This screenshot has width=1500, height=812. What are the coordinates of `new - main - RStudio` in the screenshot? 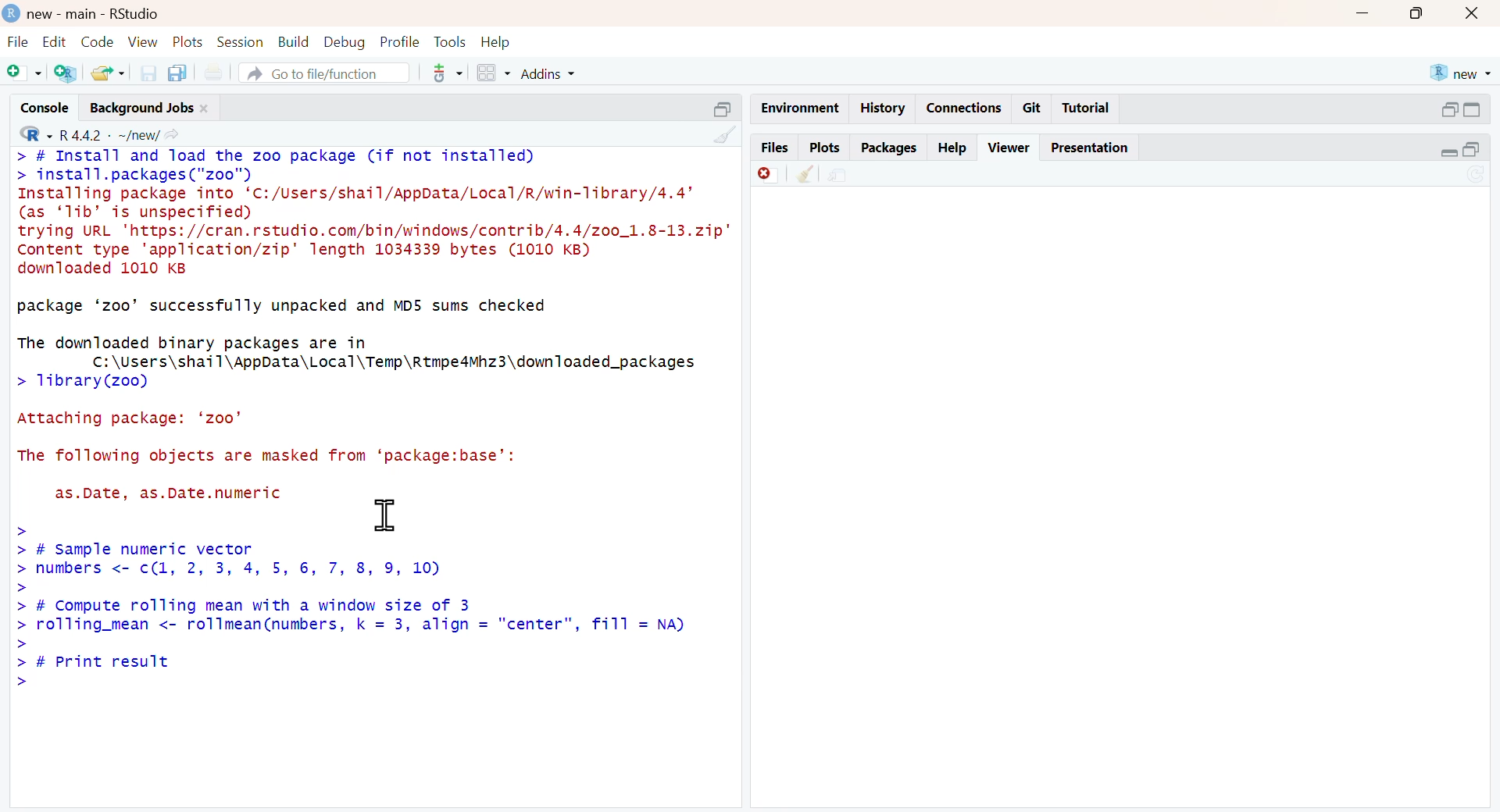 It's located at (94, 15).